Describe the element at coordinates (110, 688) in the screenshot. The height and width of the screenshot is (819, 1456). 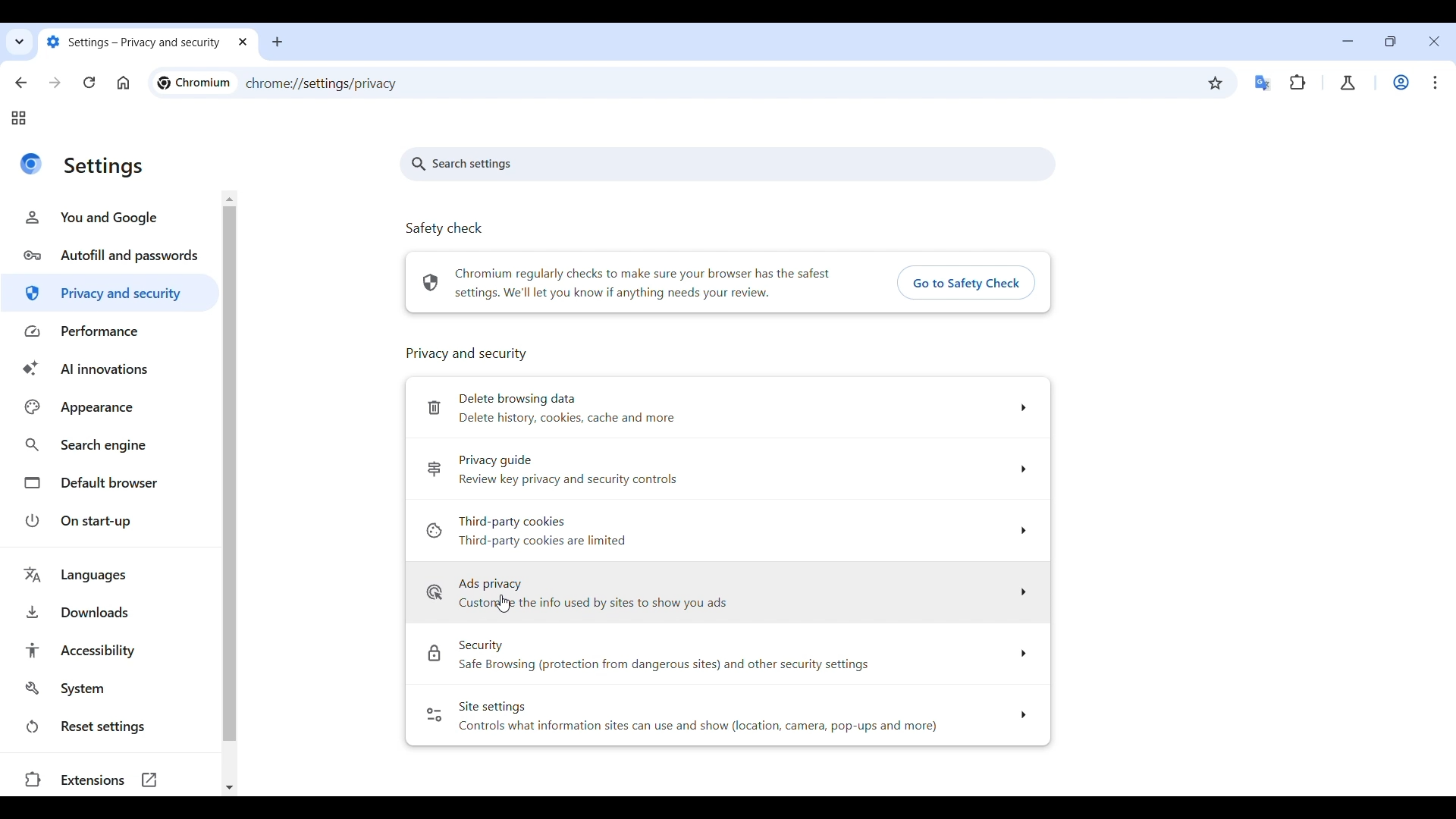
I see `System` at that location.